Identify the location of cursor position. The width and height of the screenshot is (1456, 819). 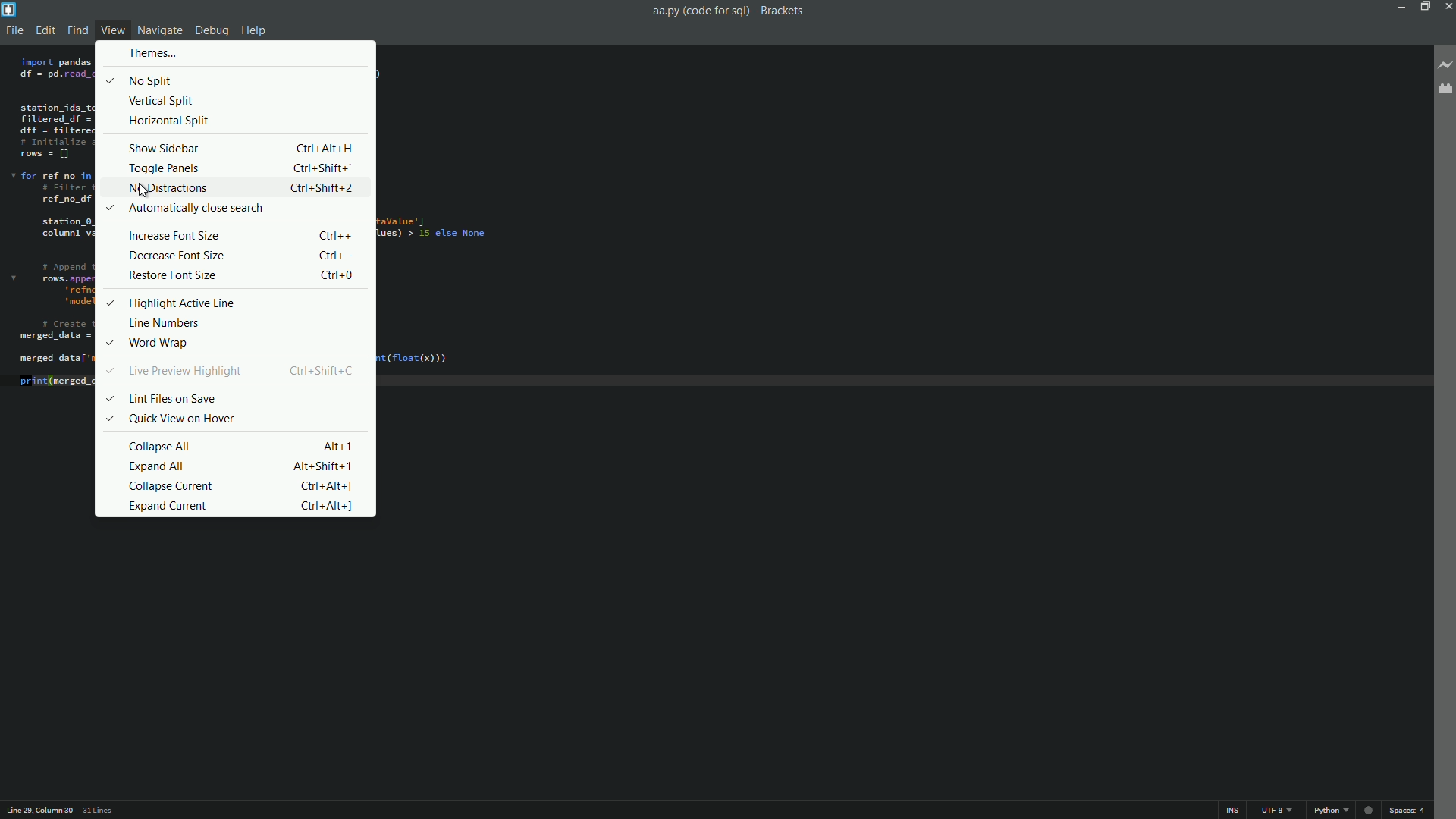
(36, 810).